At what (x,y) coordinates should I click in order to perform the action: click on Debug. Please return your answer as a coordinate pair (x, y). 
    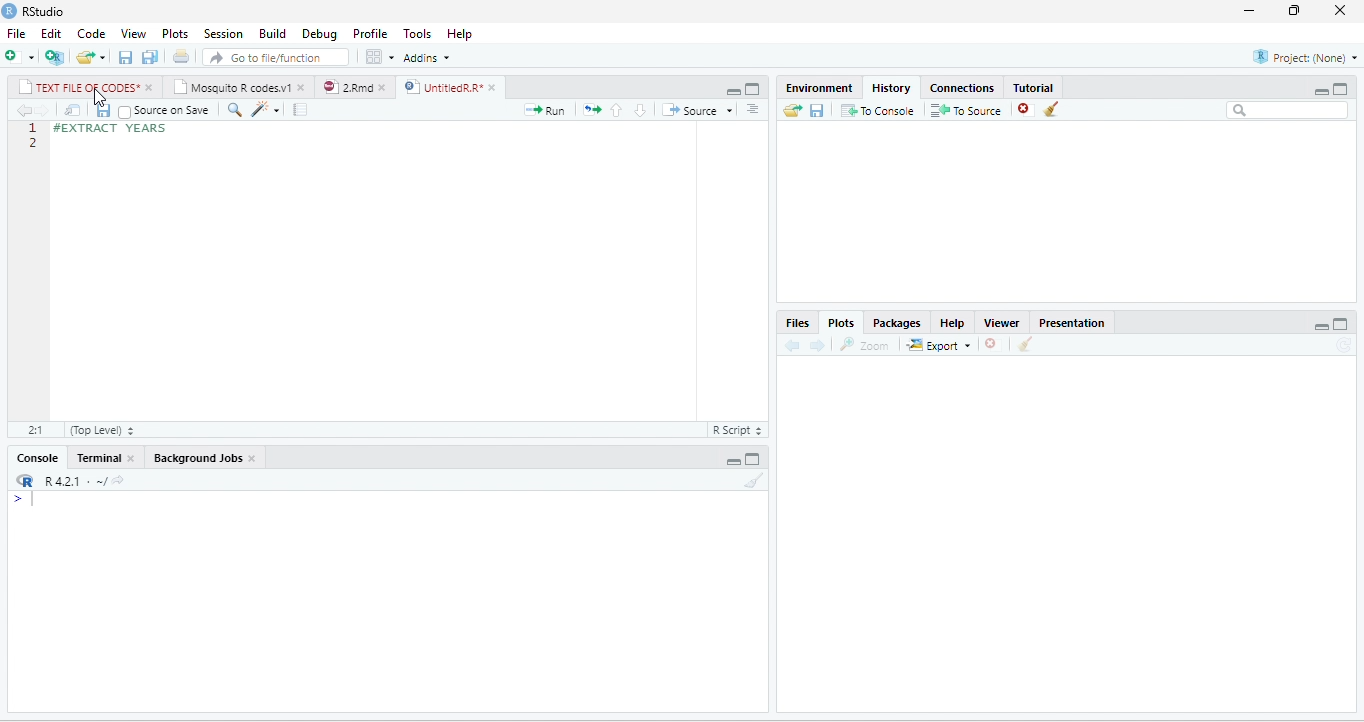
    Looking at the image, I should click on (321, 34).